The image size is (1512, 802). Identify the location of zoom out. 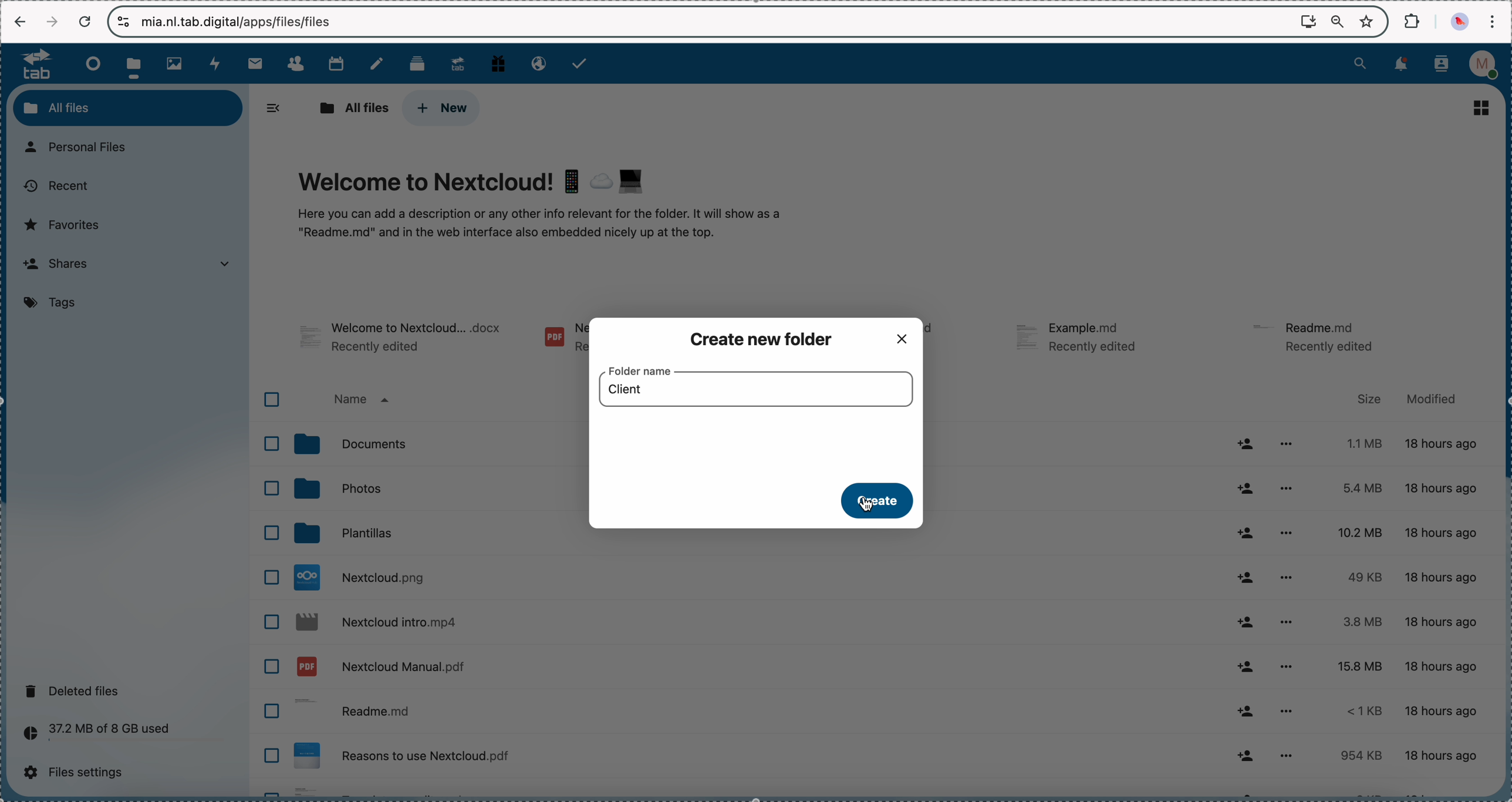
(1338, 22).